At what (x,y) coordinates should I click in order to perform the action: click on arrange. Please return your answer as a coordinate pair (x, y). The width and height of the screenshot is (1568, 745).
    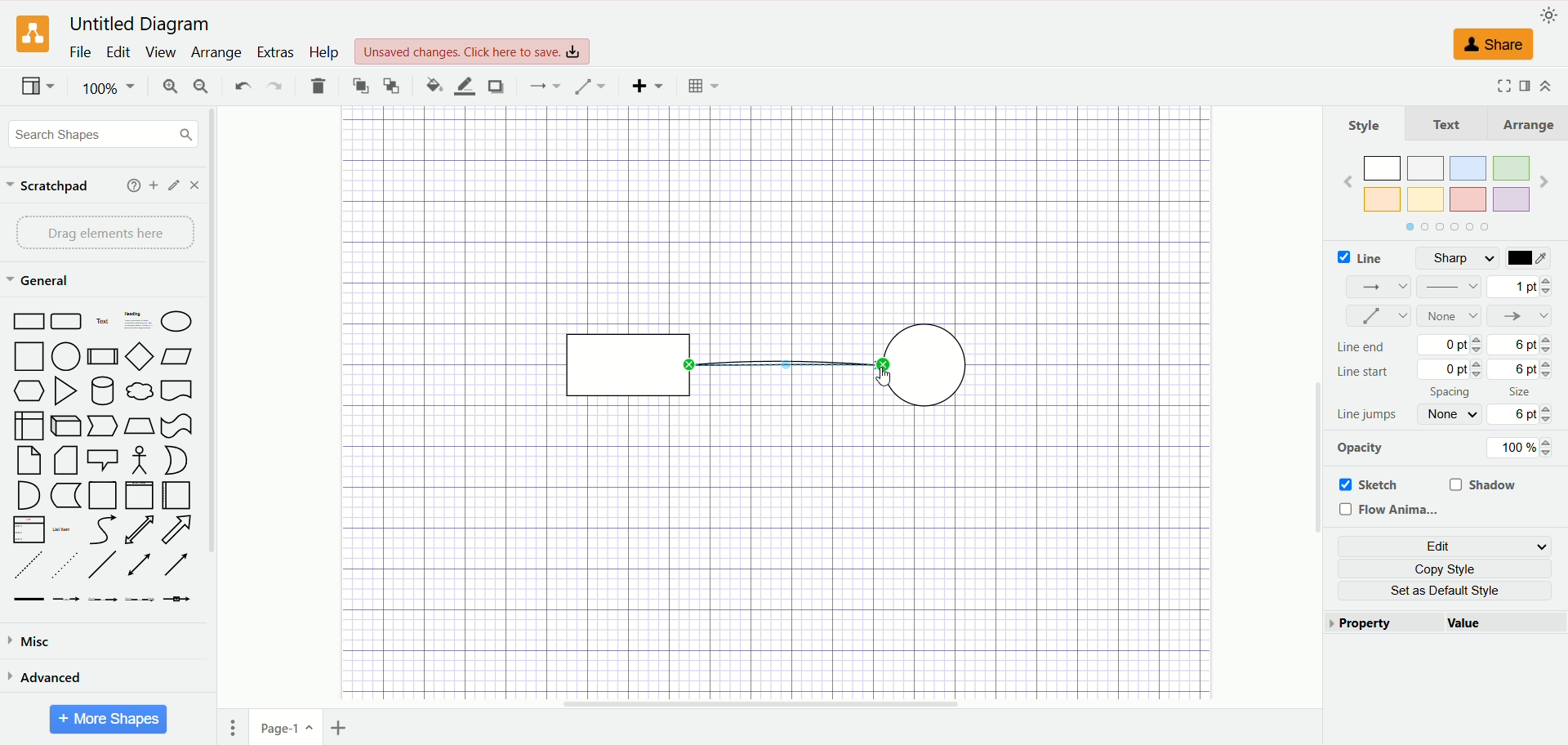
    Looking at the image, I should click on (216, 53).